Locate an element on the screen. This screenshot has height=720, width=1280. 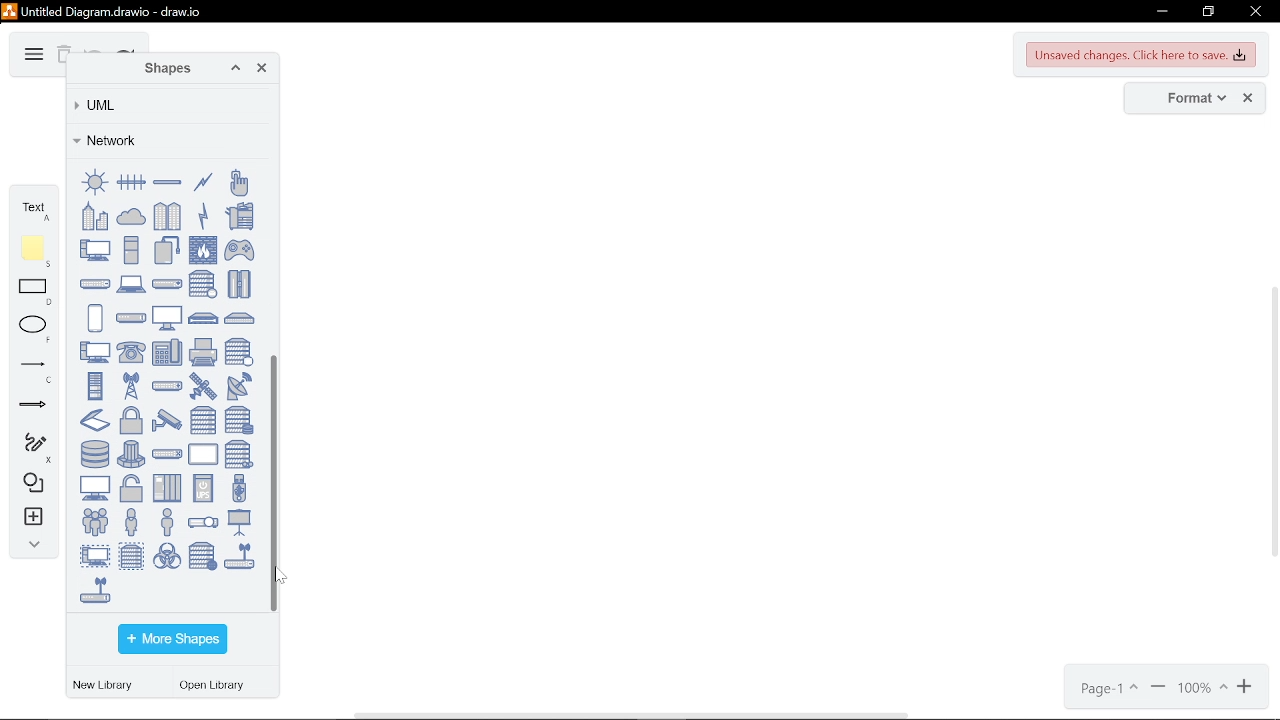
satellite is located at coordinates (203, 386).